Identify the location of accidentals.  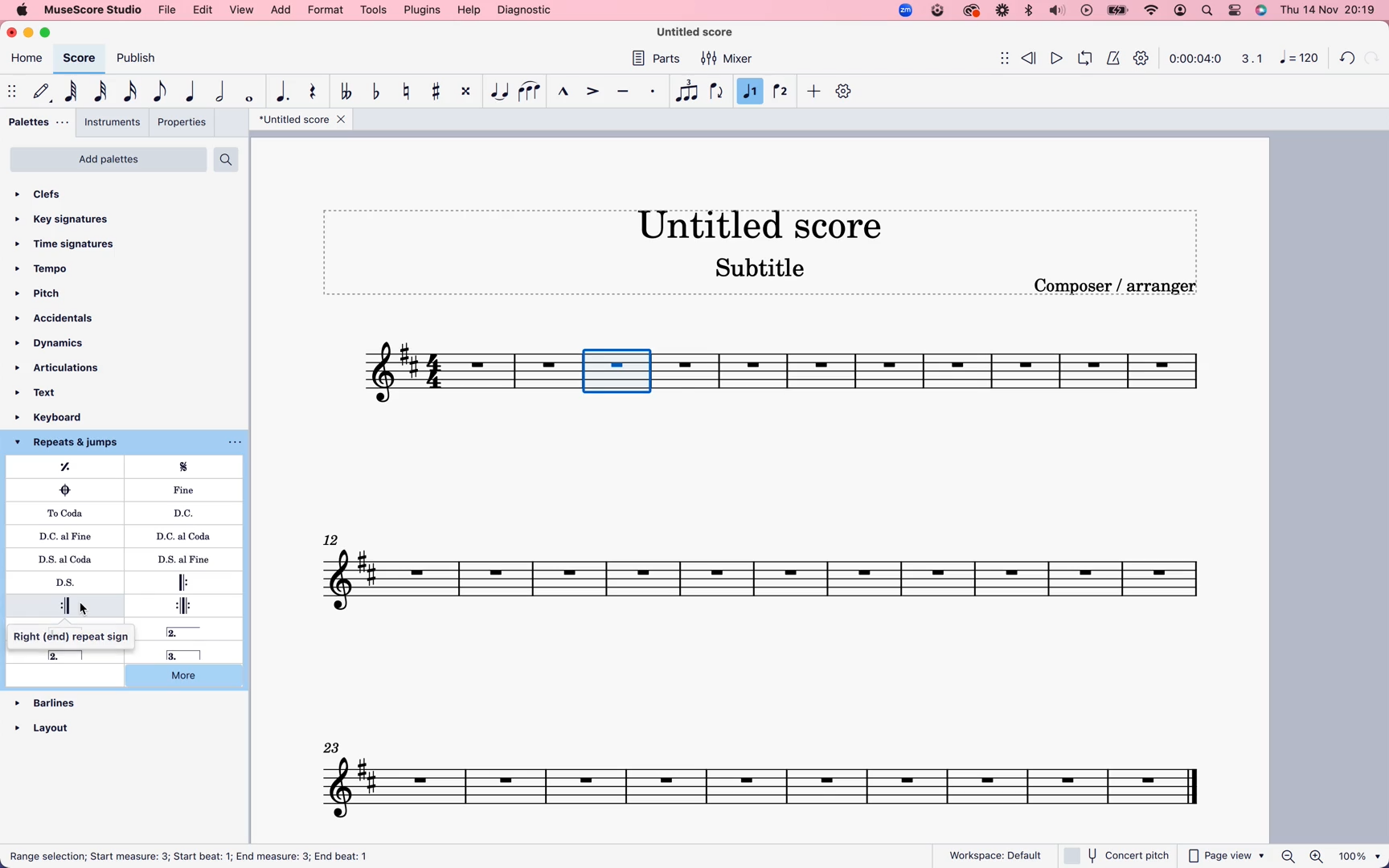
(59, 318).